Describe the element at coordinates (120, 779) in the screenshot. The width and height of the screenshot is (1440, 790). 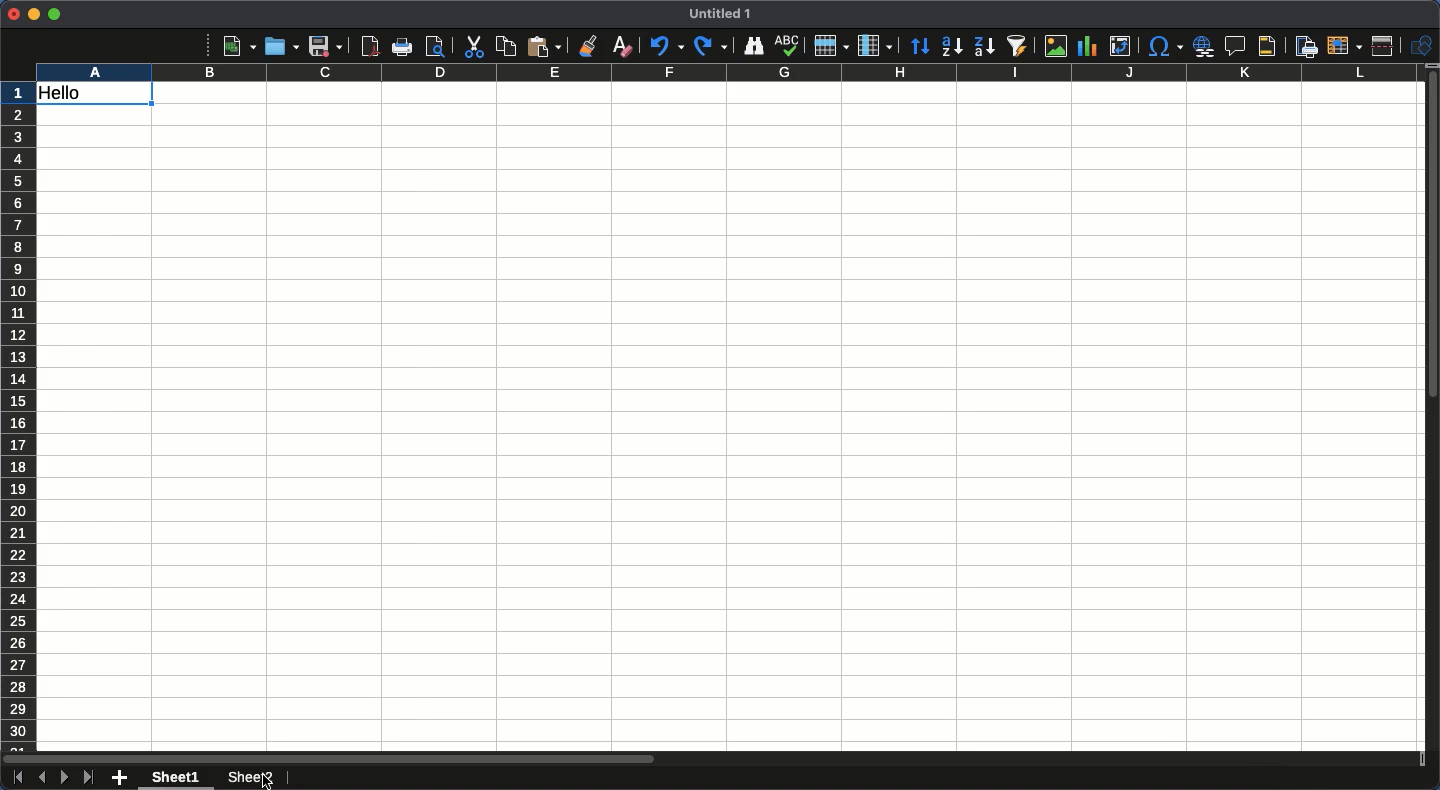
I see `Add new sheet` at that location.